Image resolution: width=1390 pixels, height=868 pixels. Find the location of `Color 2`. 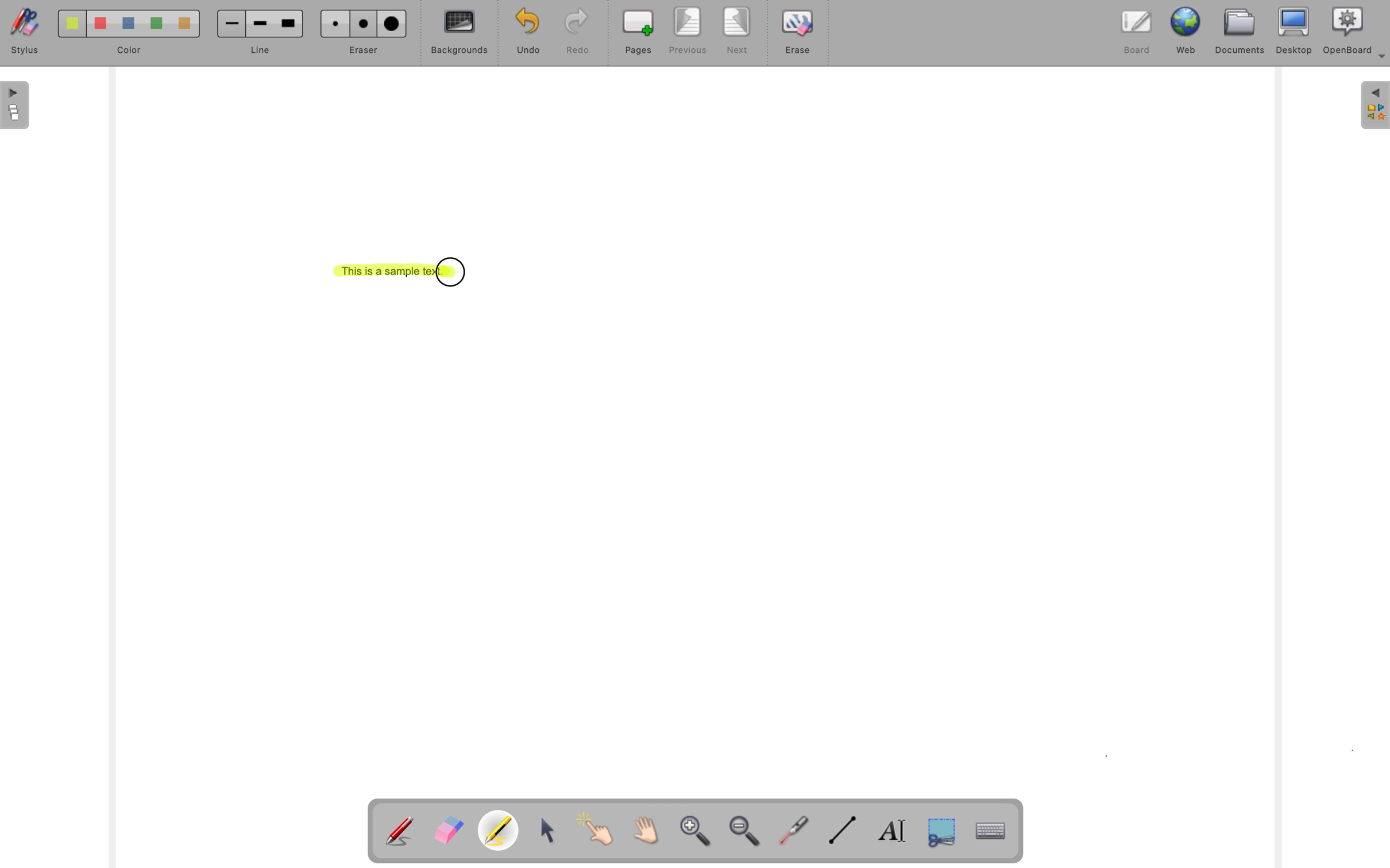

Color 2 is located at coordinates (101, 24).